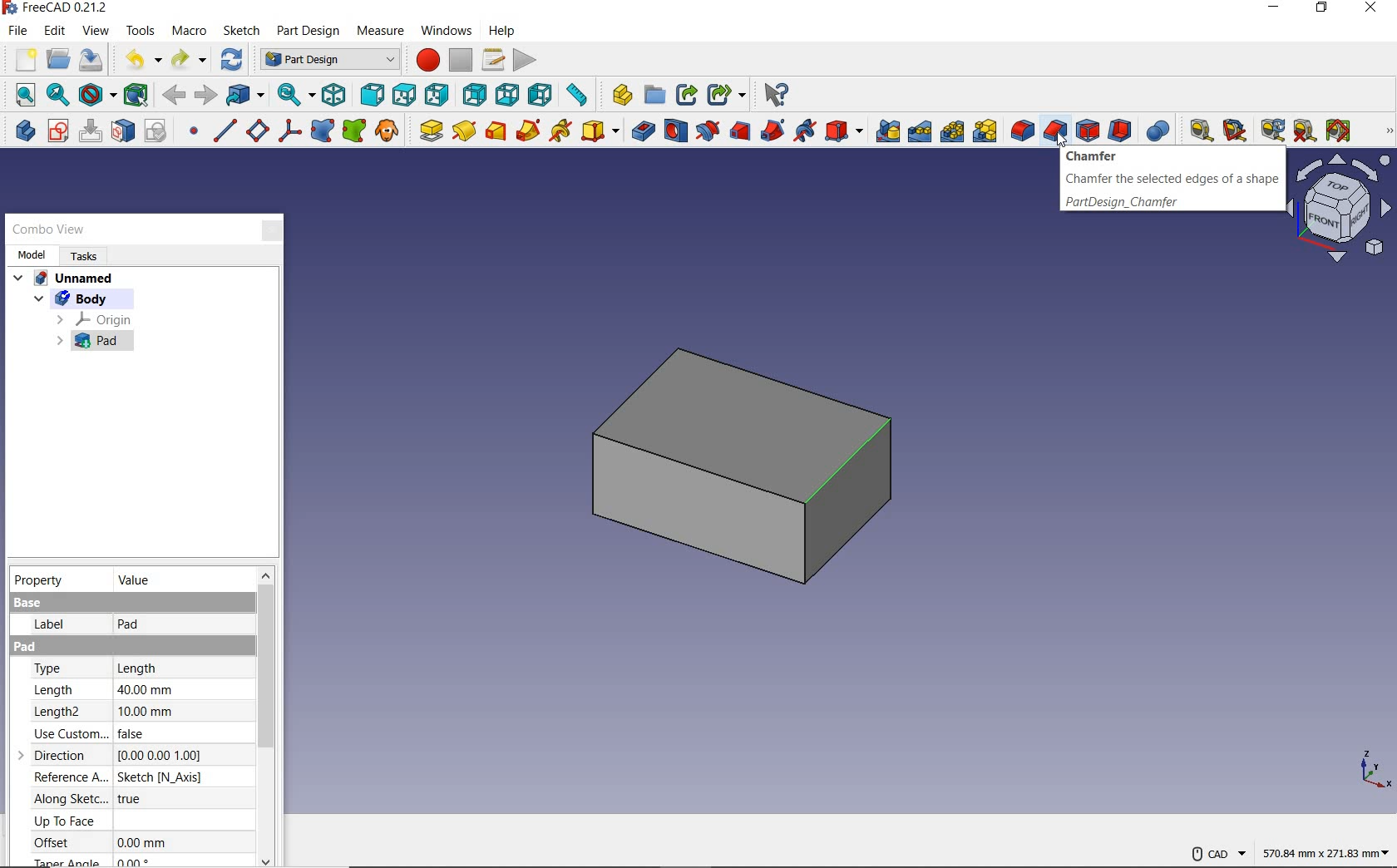 Image resolution: width=1397 pixels, height=868 pixels. I want to click on base, so click(28, 604).